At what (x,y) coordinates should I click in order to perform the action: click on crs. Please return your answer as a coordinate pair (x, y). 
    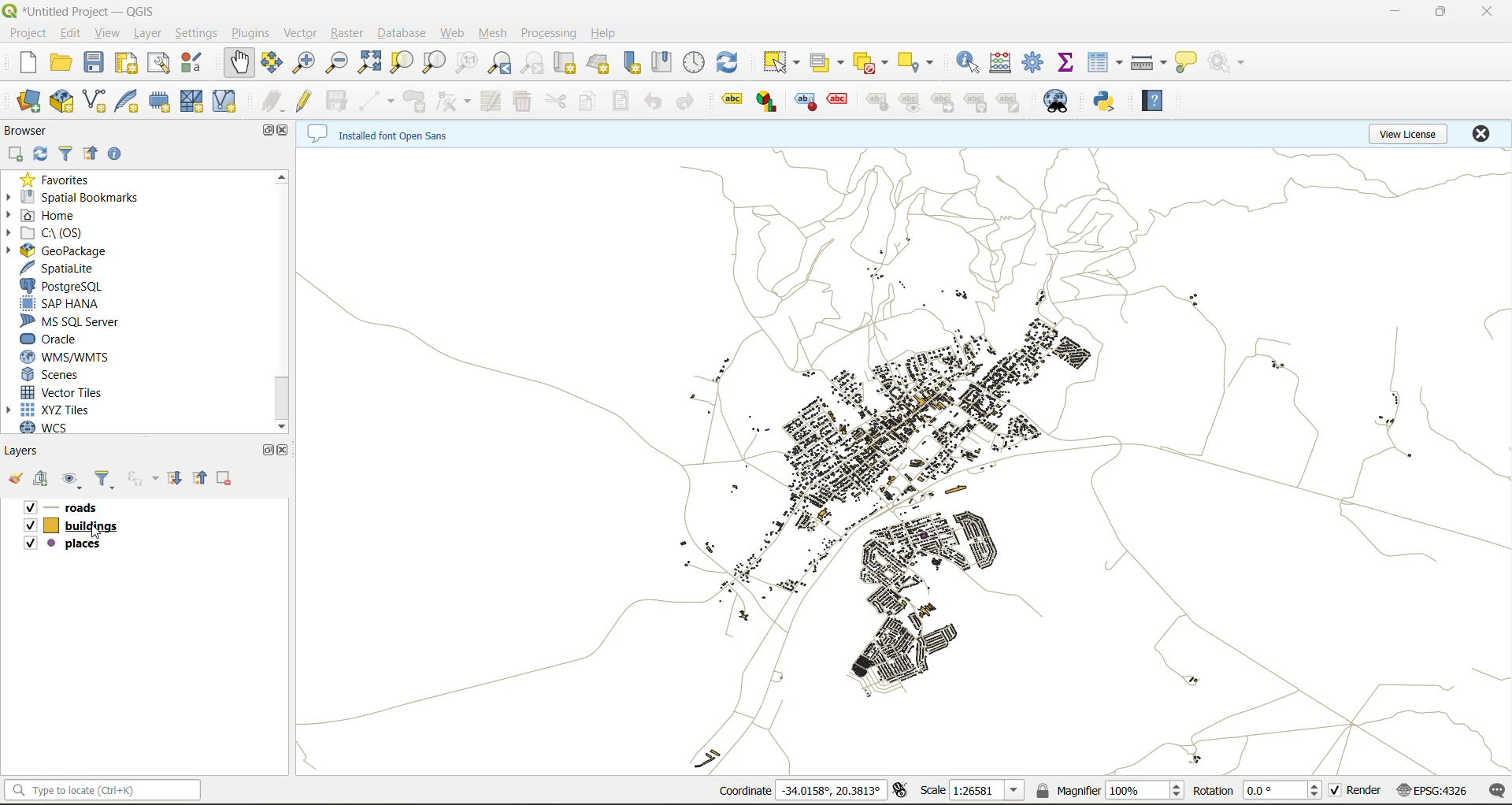
    Looking at the image, I should click on (1436, 789).